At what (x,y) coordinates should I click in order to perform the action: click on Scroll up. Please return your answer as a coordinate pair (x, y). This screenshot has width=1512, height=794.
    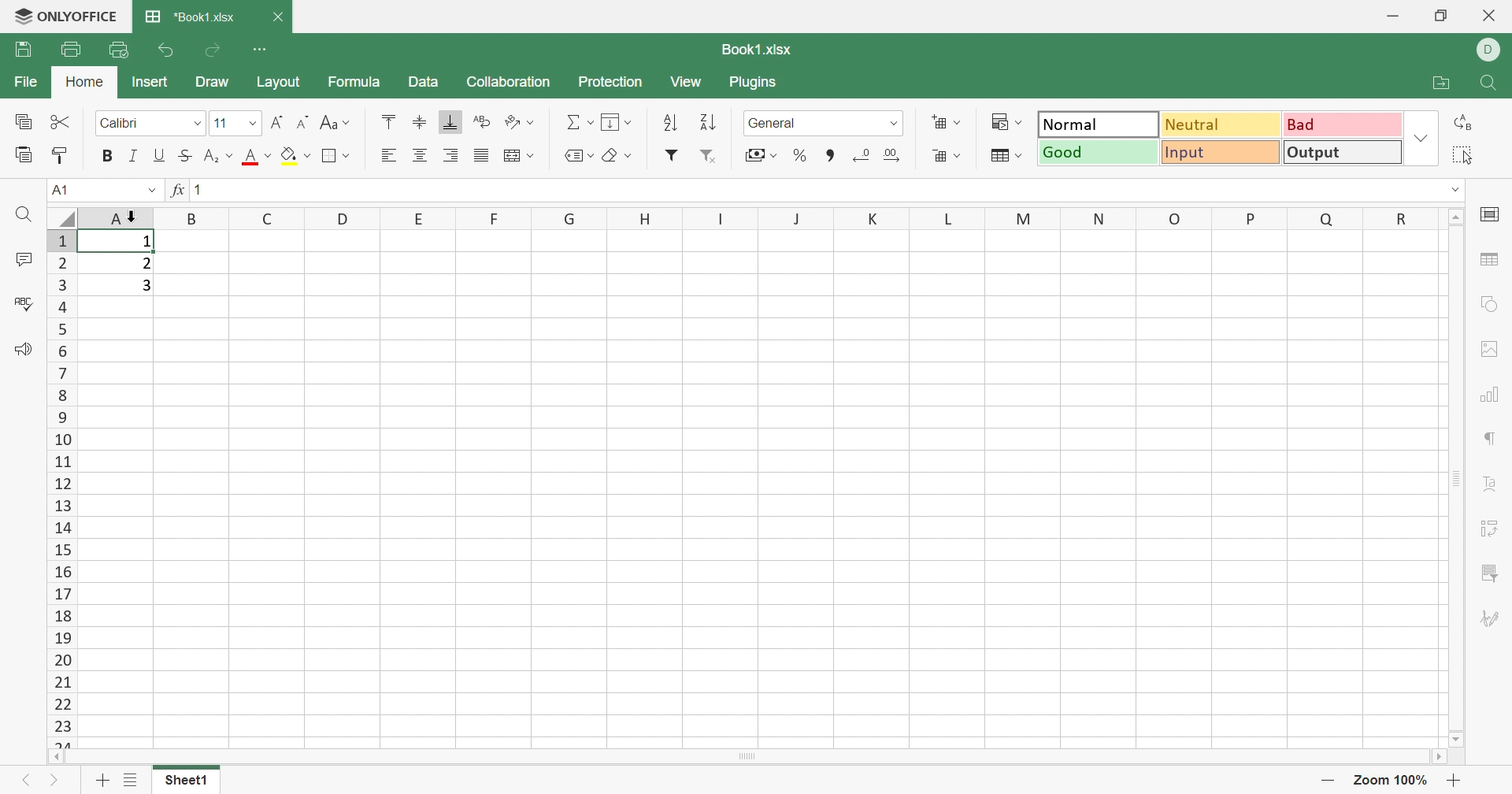
    Looking at the image, I should click on (1458, 215).